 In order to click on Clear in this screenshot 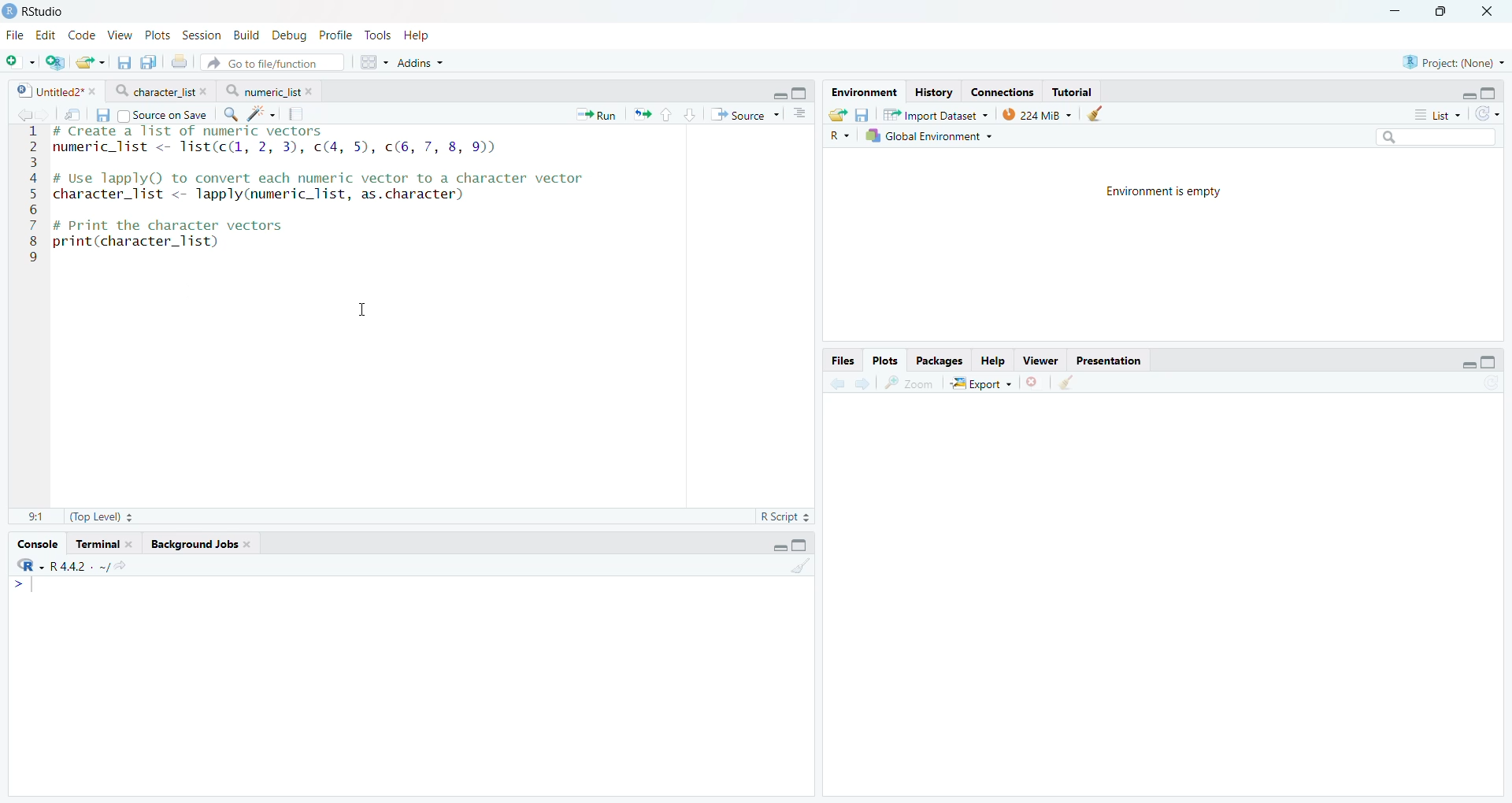, I will do `click(1071, 383)`.